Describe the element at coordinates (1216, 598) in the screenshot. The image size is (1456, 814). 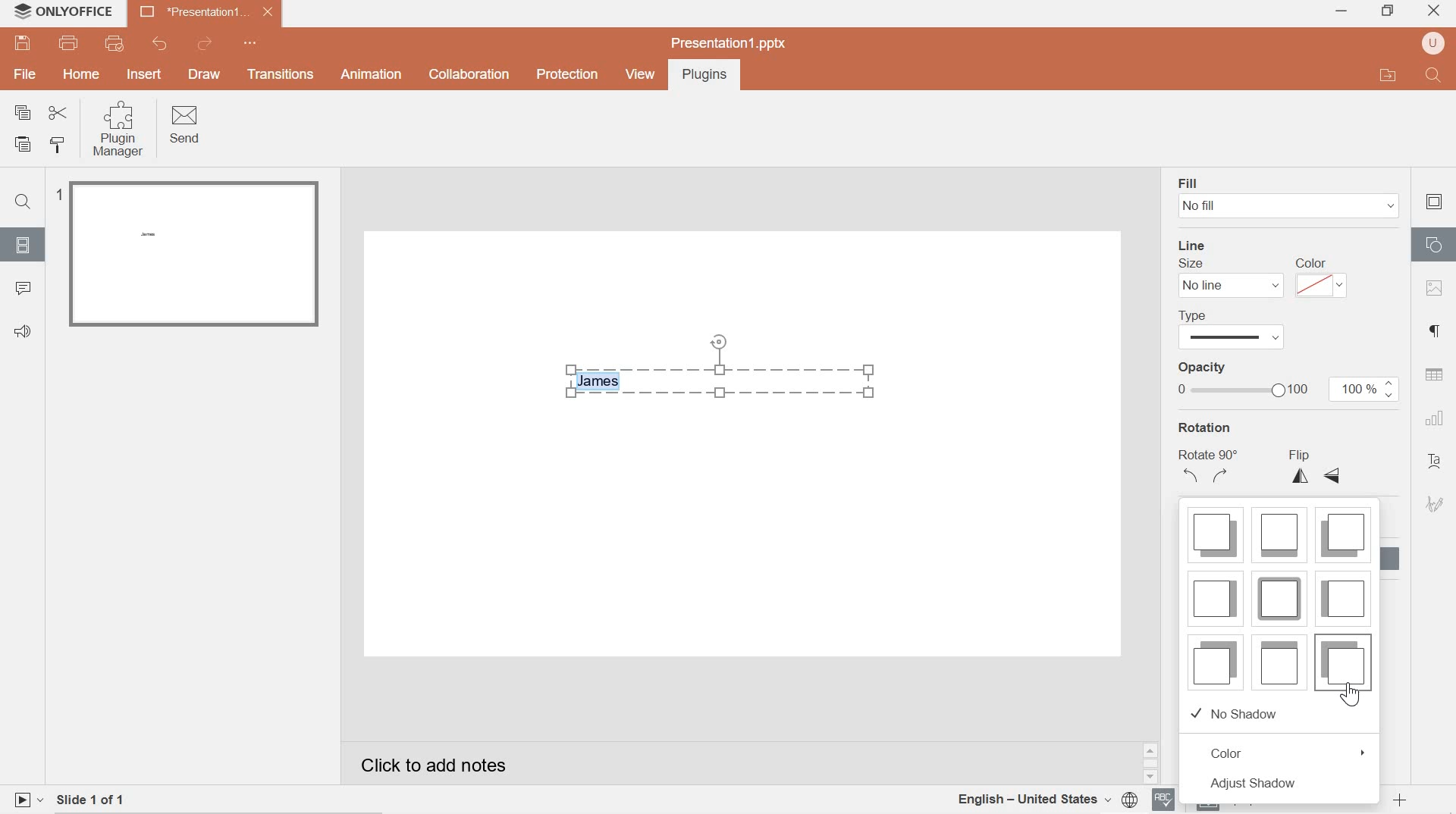
I see `shadow style` at that location.